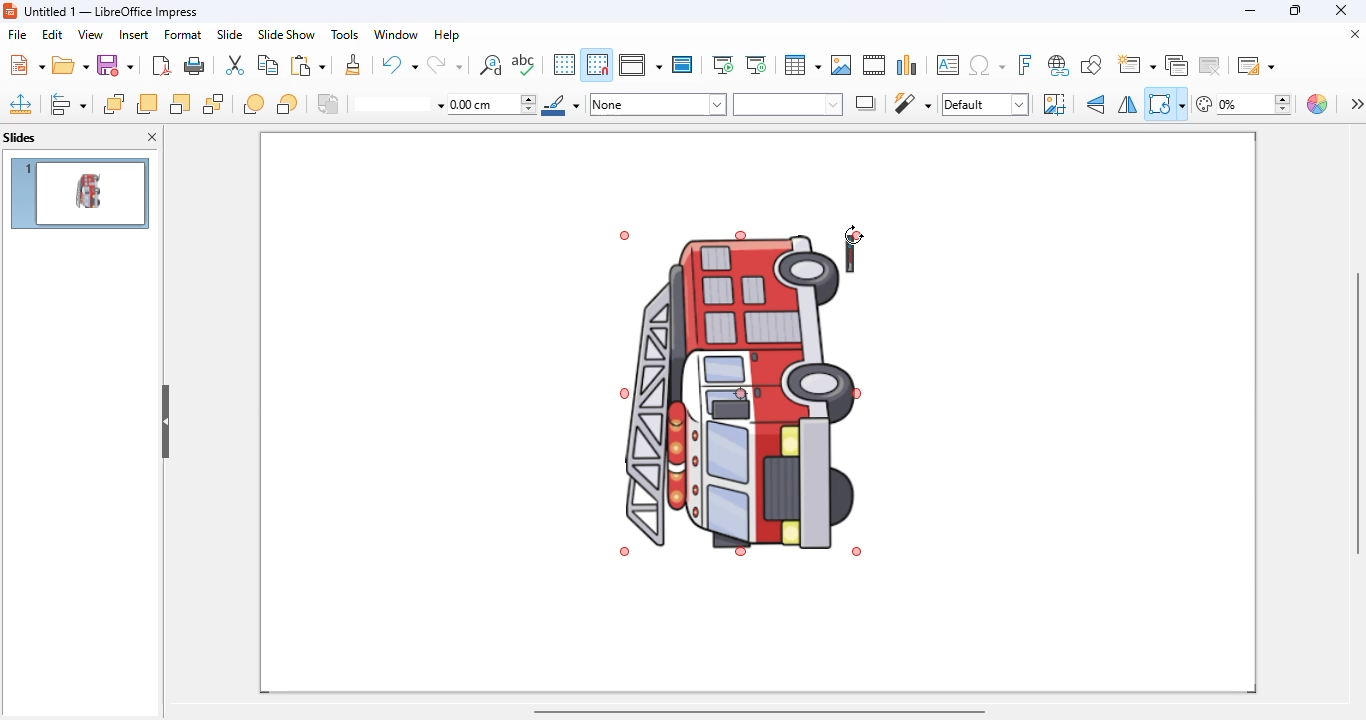  I want to click on slide 1, so click(79, 193).